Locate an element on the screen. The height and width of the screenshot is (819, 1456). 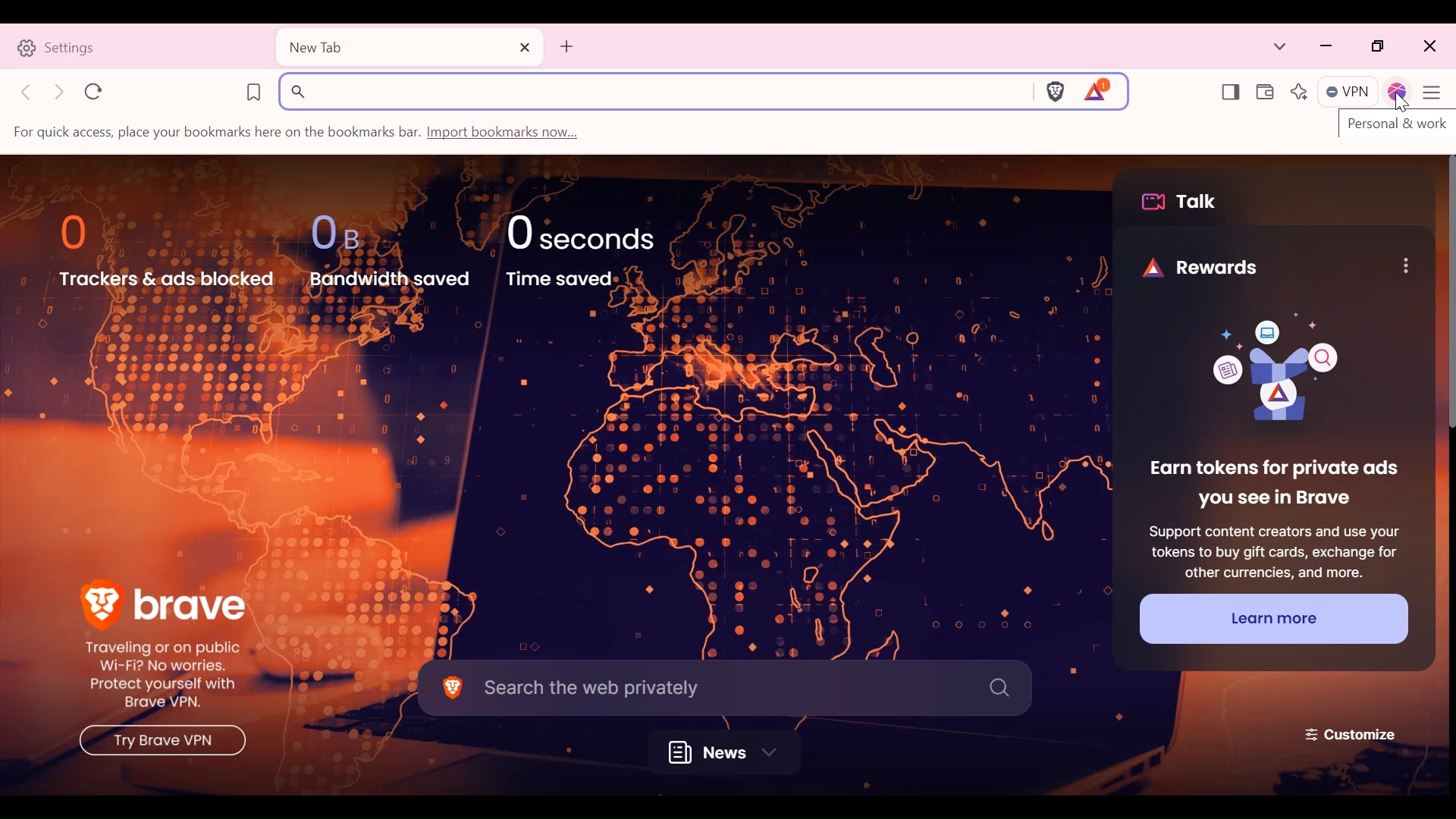
Current Tab is located at coordinates (409, 48).